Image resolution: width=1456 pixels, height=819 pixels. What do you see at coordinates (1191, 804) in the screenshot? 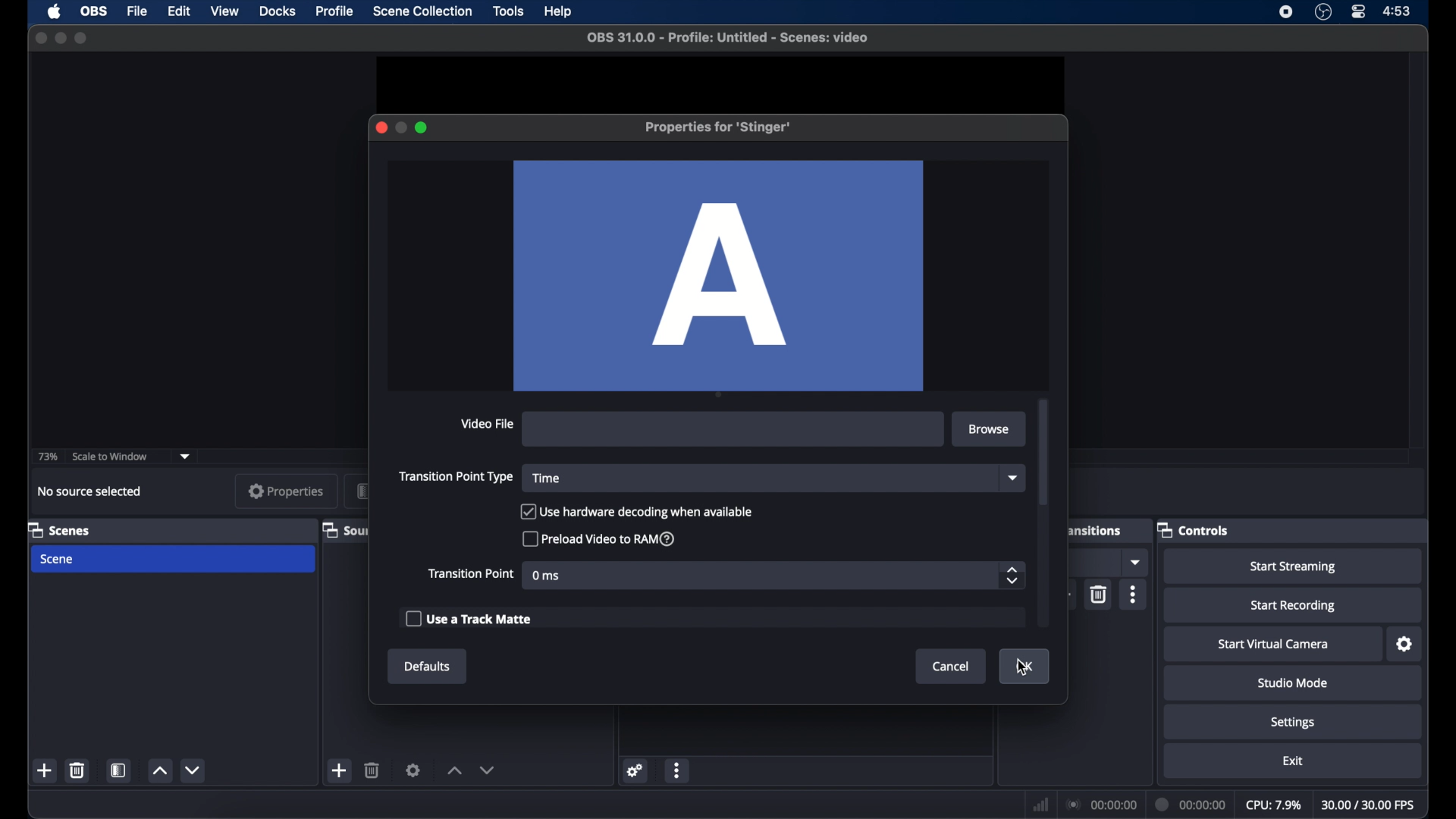
I see `duration` at bounding box center [1191, 804].